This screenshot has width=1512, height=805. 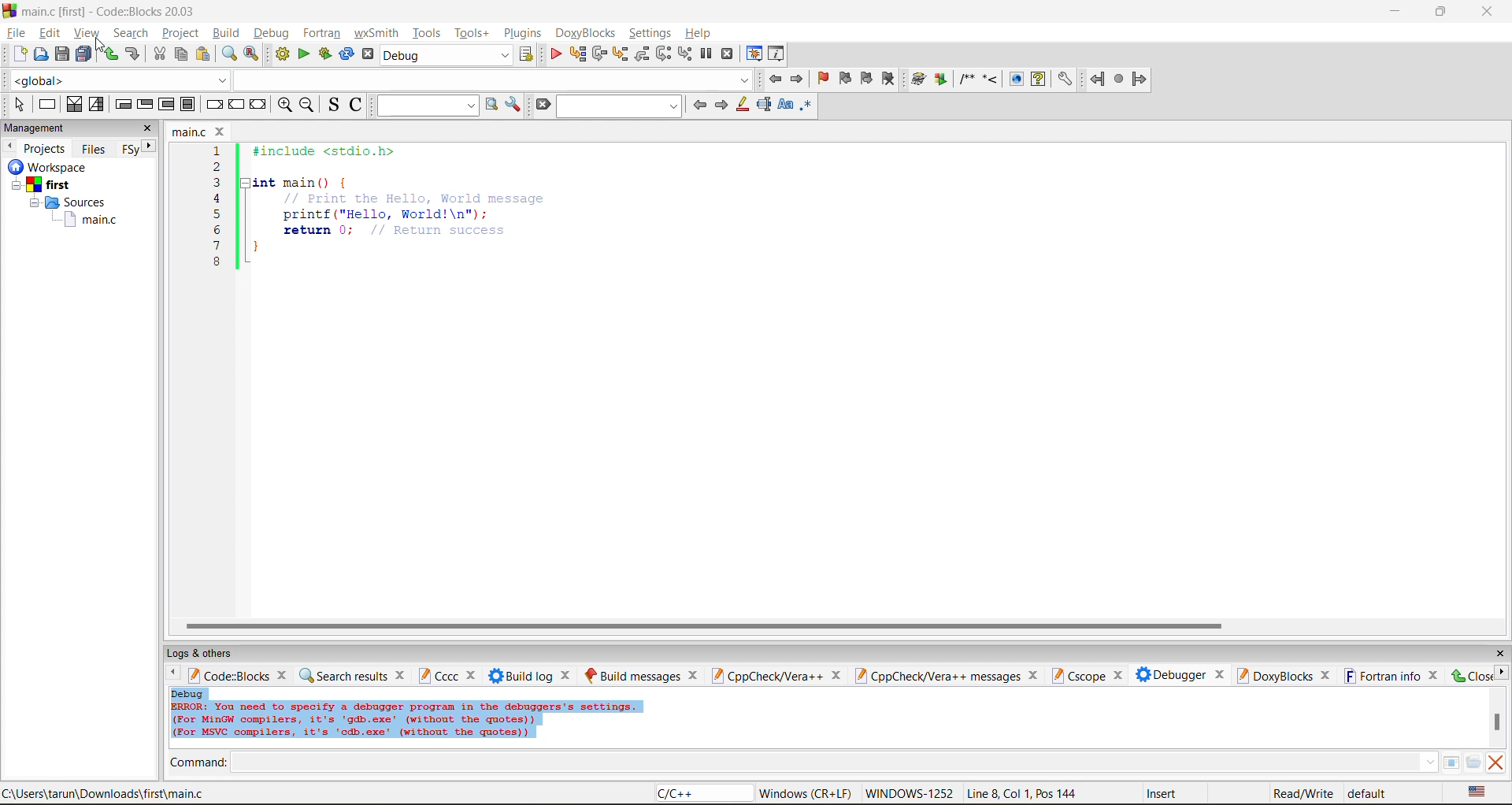 I want to click on zoom in, so click(x=282, y=106).